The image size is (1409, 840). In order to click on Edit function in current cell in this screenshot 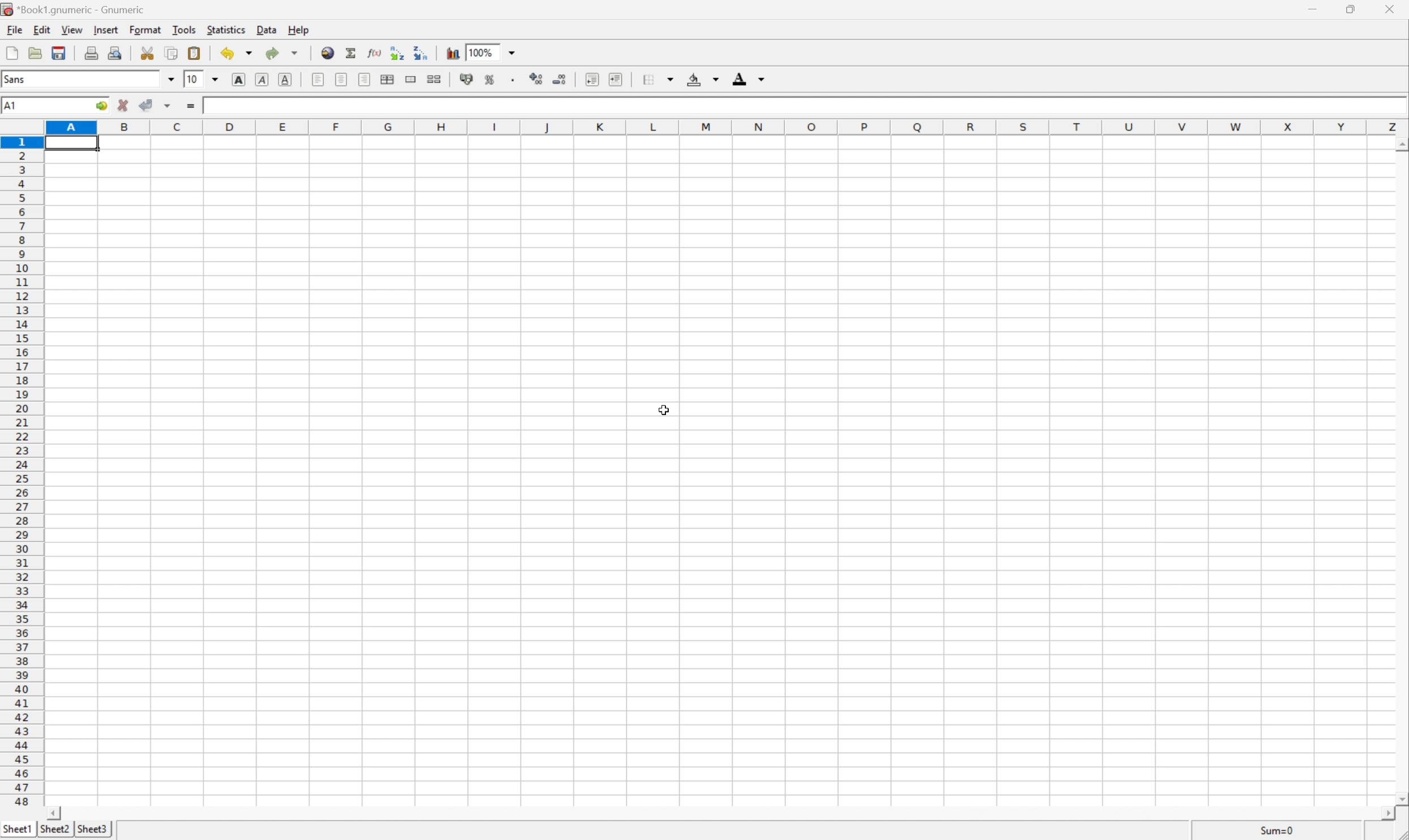, I will do `click(374, 52)`.